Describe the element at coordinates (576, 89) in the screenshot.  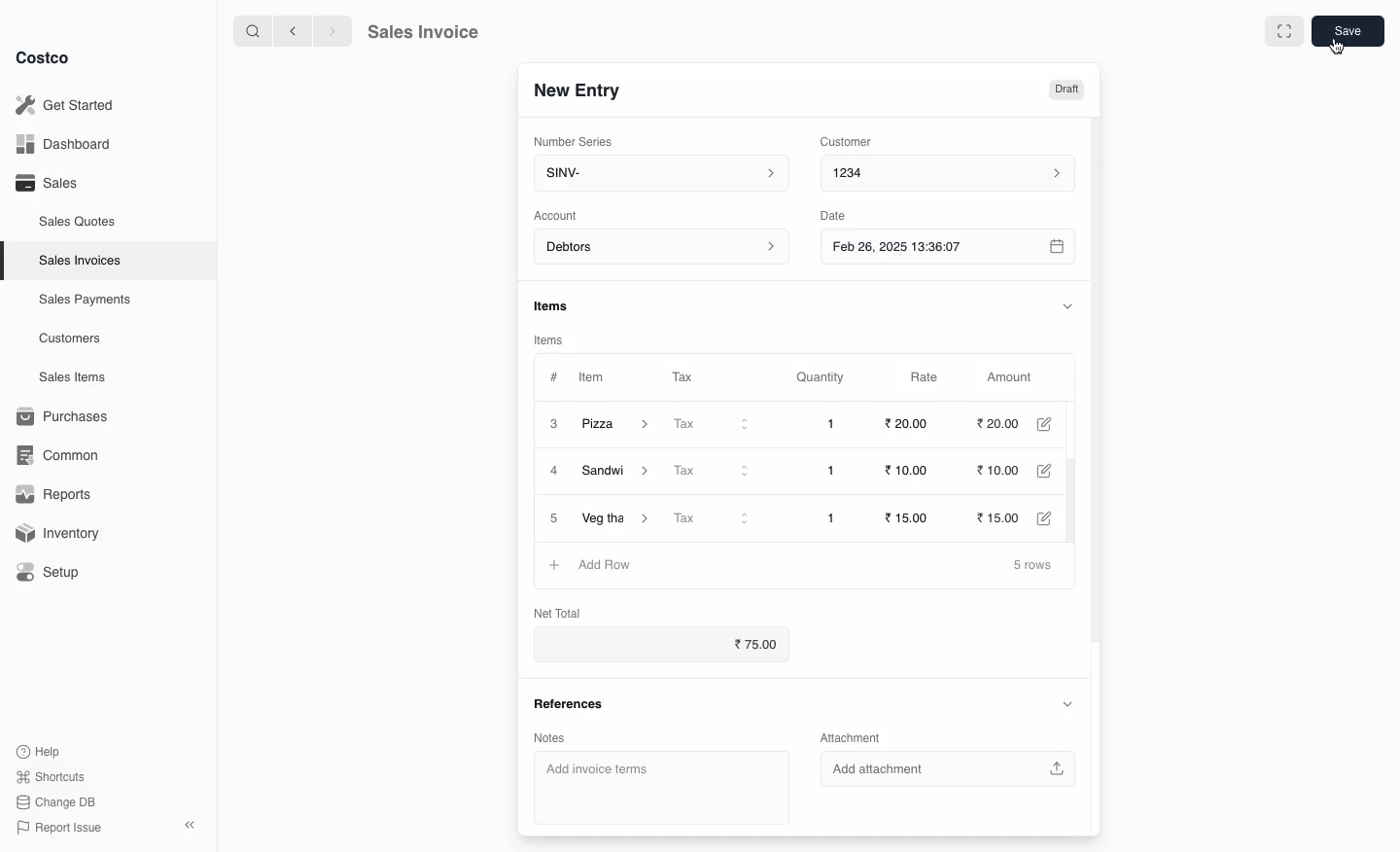
I see `New Entry` at that location.